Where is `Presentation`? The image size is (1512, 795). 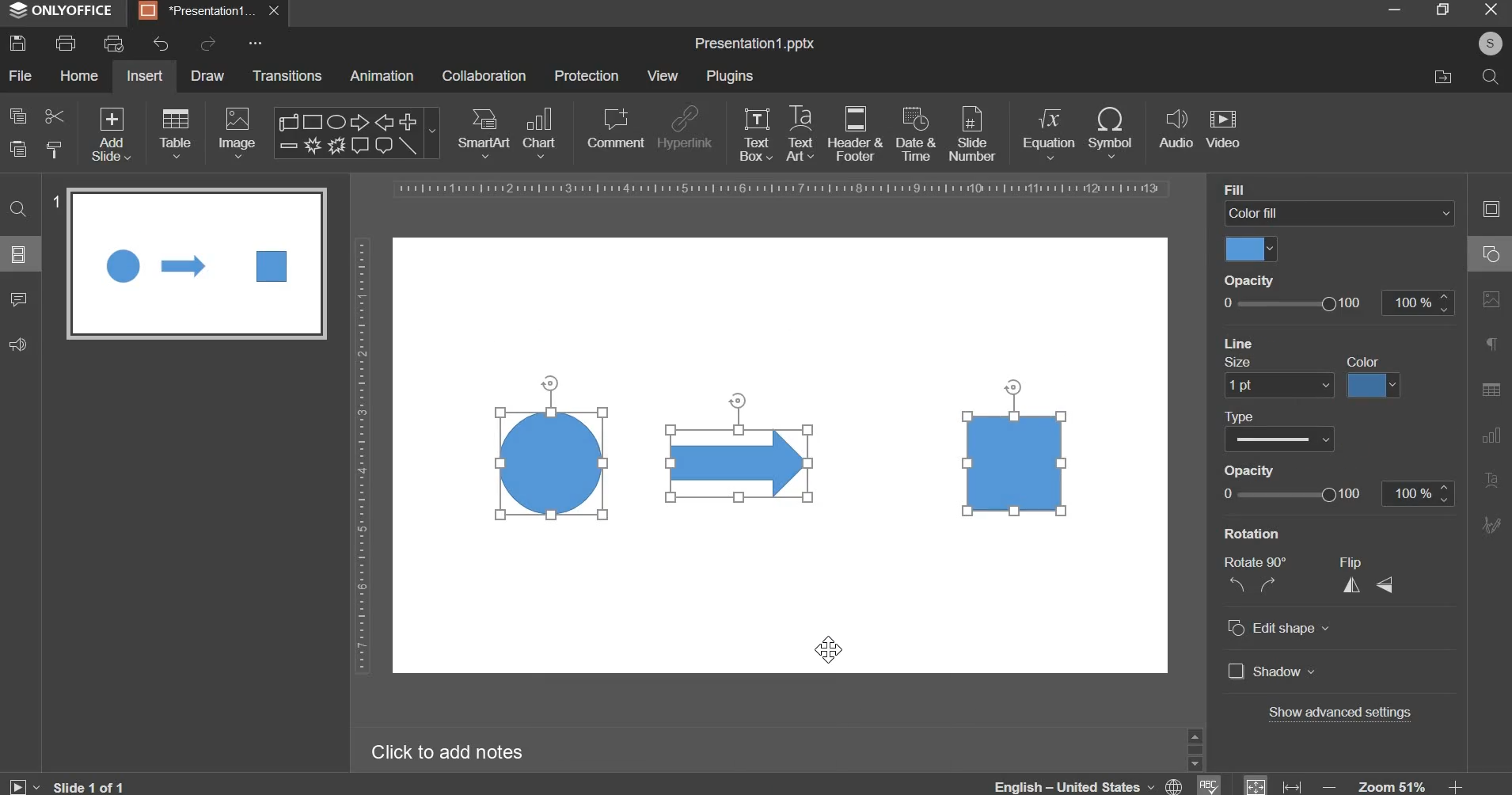
Presentation is located at coordinates (198, 13).